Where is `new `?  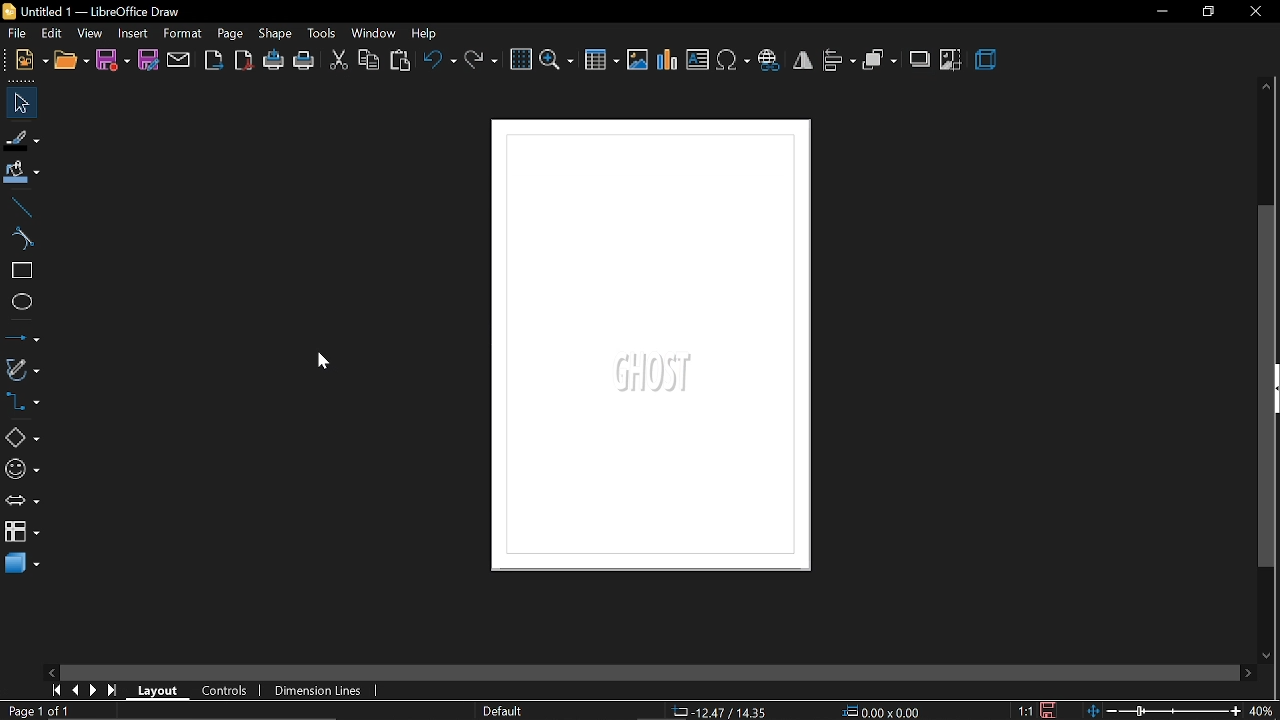 new  is located at coordinates (30, 59).